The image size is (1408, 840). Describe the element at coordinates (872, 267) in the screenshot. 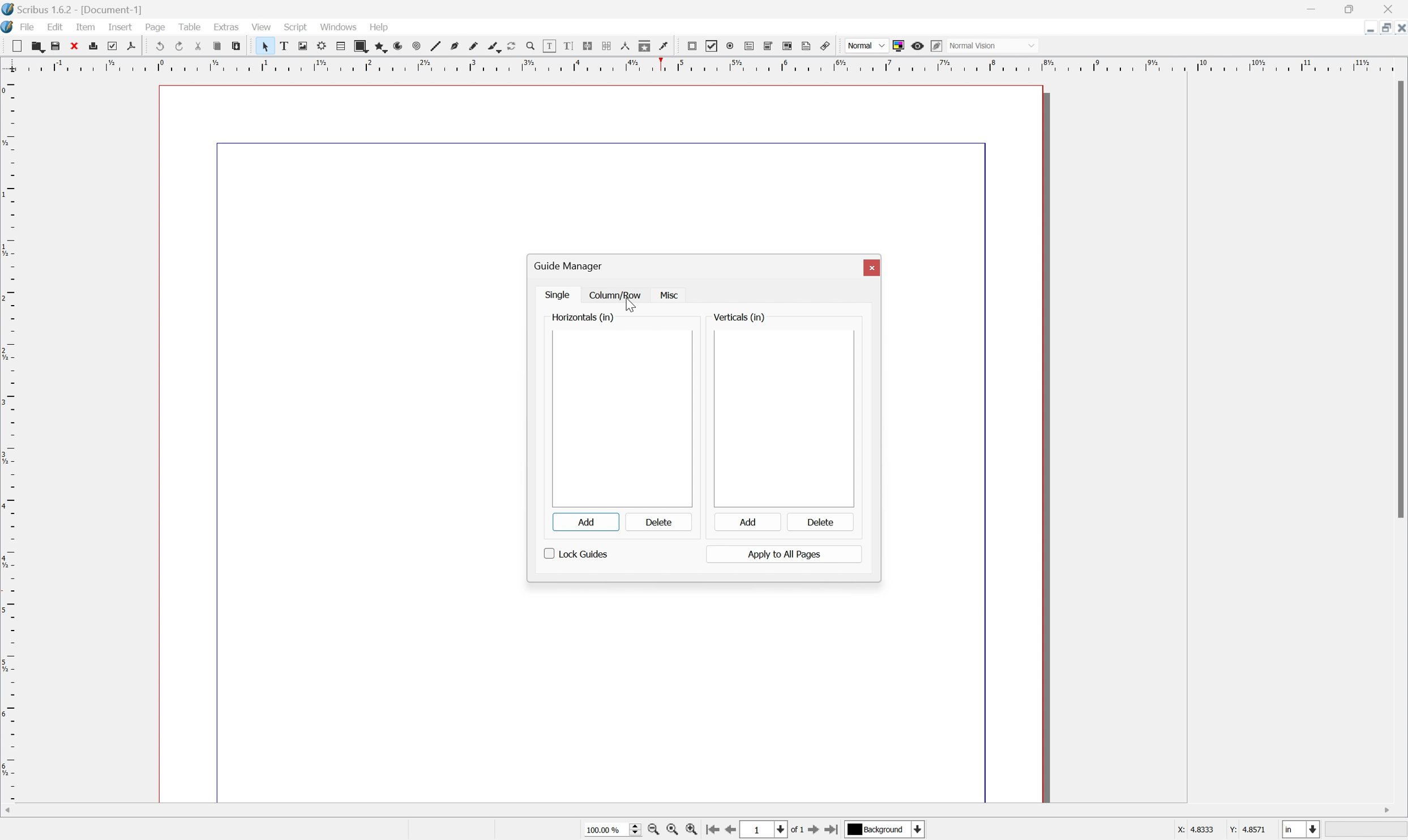

I see `close` at that location.